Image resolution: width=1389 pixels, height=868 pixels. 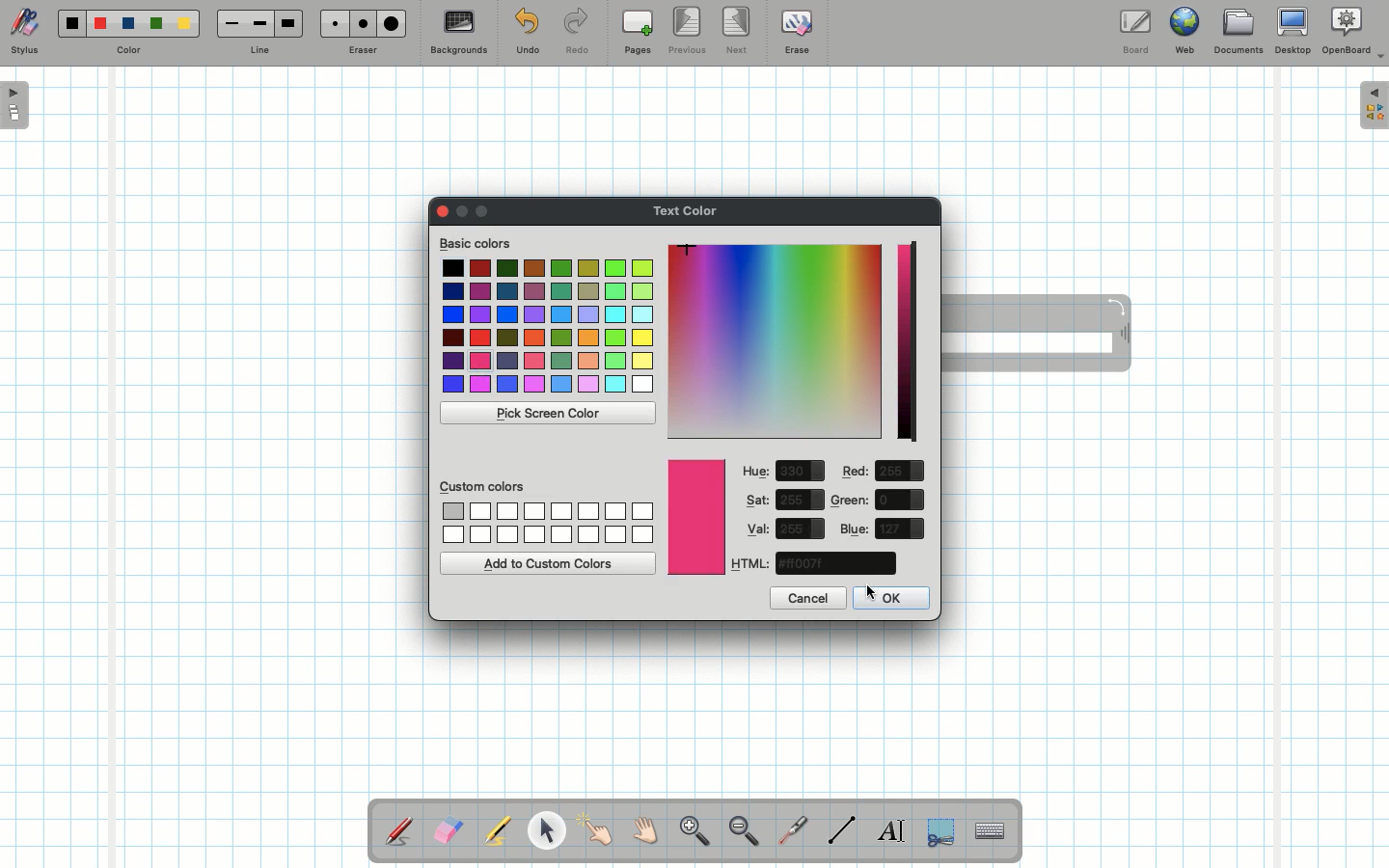 I want to click on Colors, so click(x=546, y=328).